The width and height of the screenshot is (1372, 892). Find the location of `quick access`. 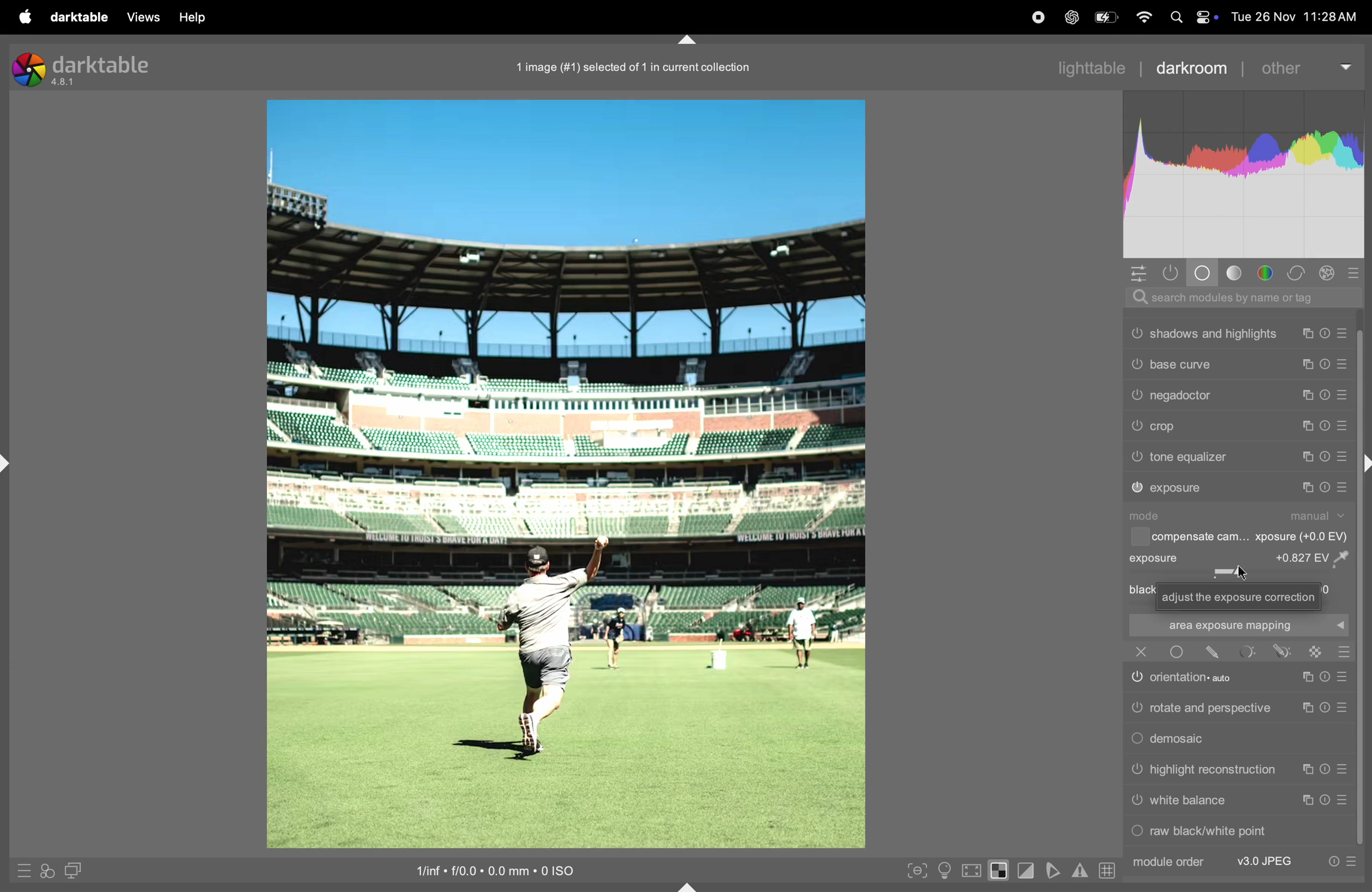

quick access is located at coordinates (47, 872).